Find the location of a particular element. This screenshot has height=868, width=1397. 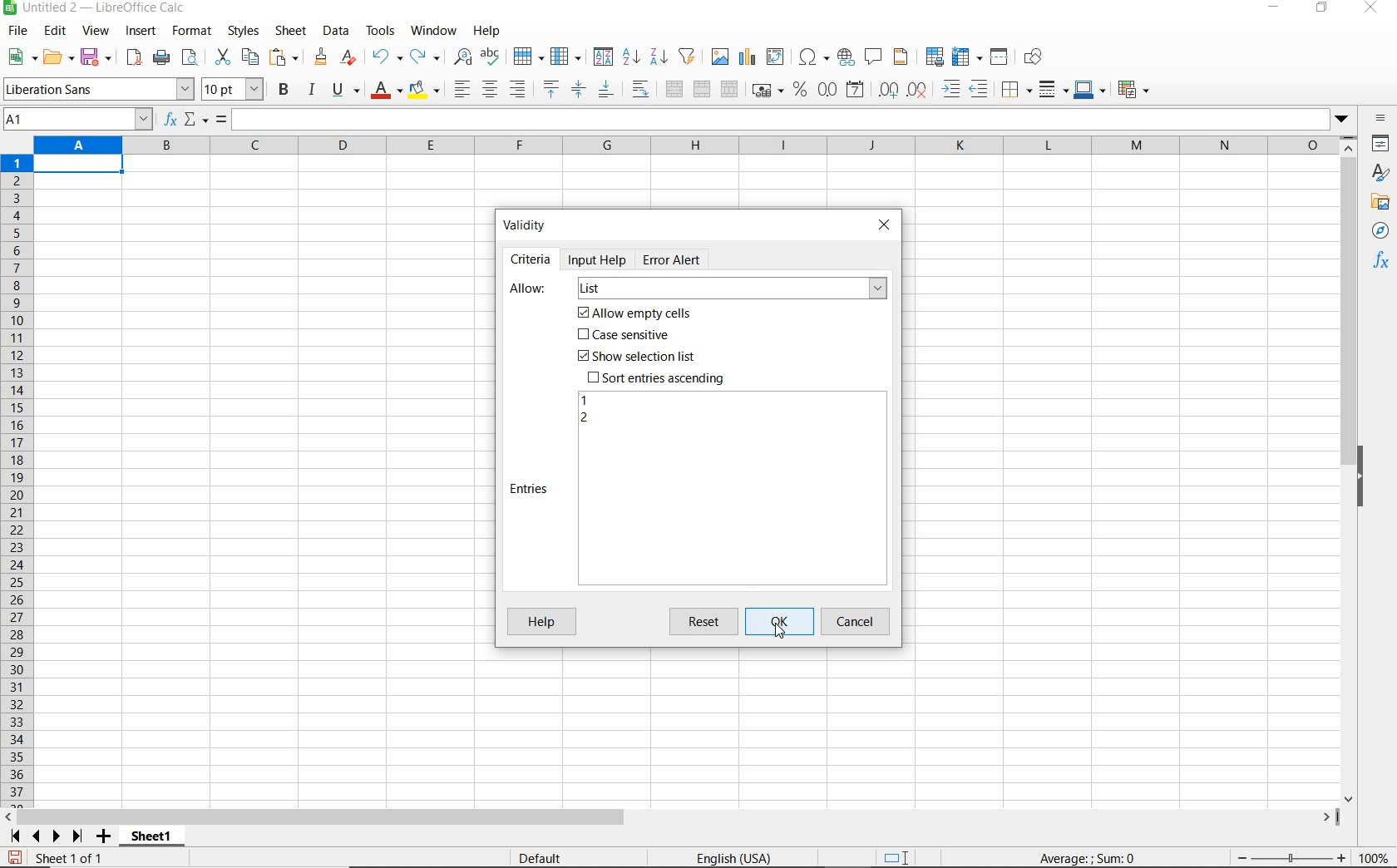

styles is located at coordinates (1381, 175).